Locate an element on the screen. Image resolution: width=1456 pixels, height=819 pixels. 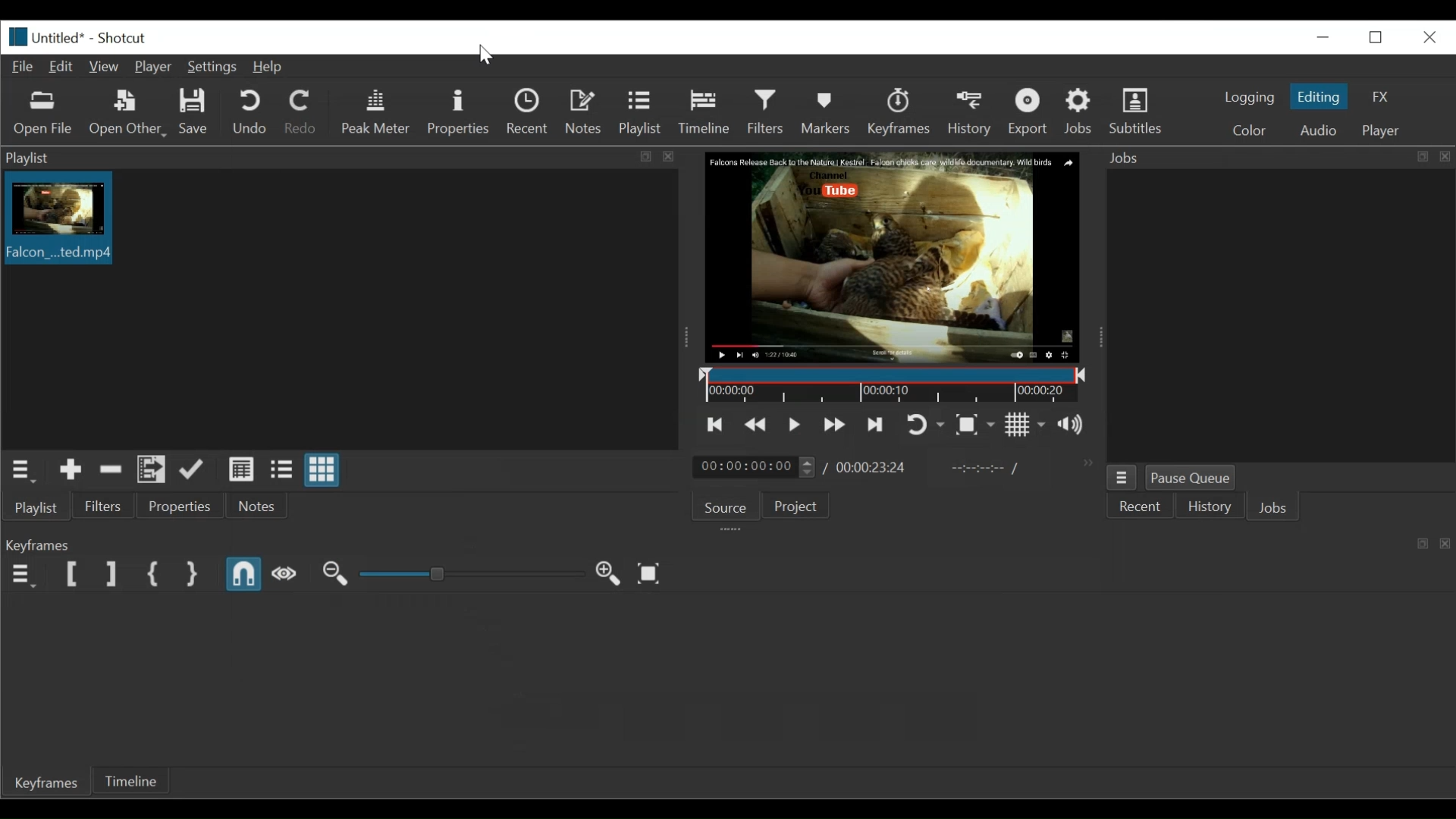
minimize is located at coordinates (1325, 36).